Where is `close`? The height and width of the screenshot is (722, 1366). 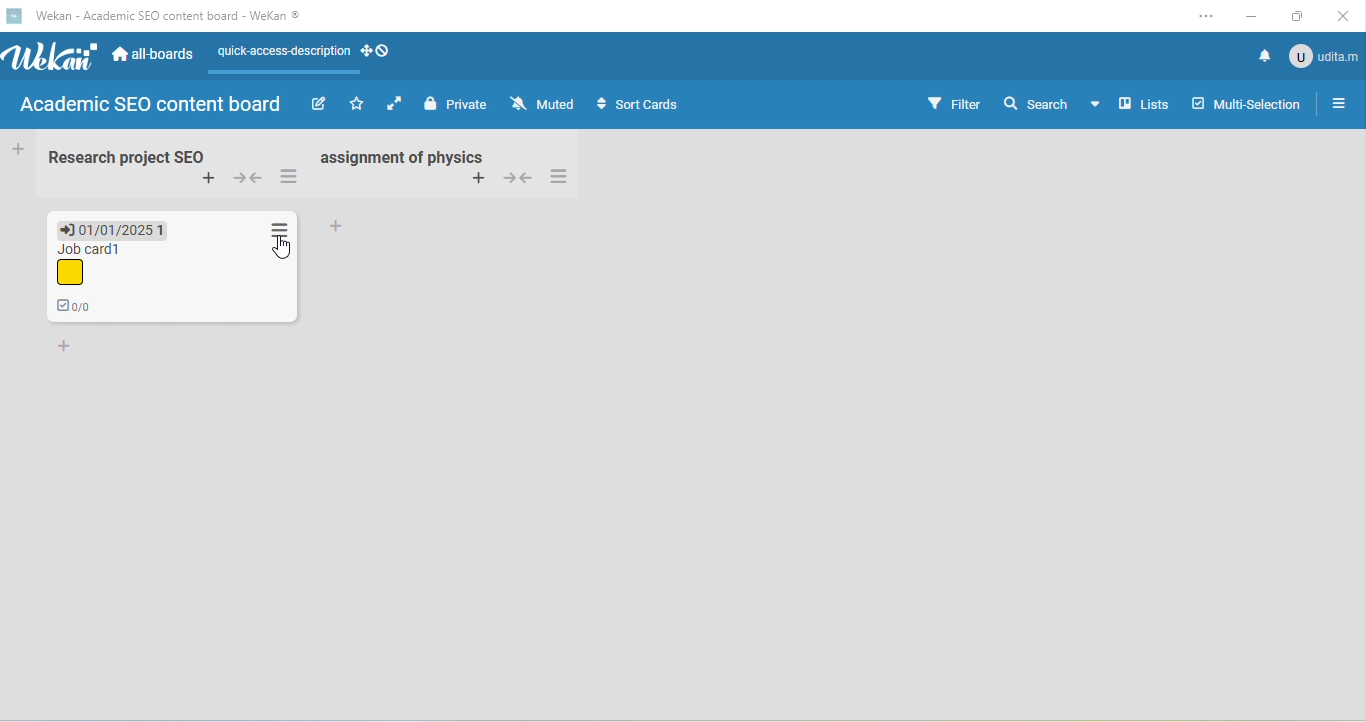
close is located at coordinates (1344, 15).